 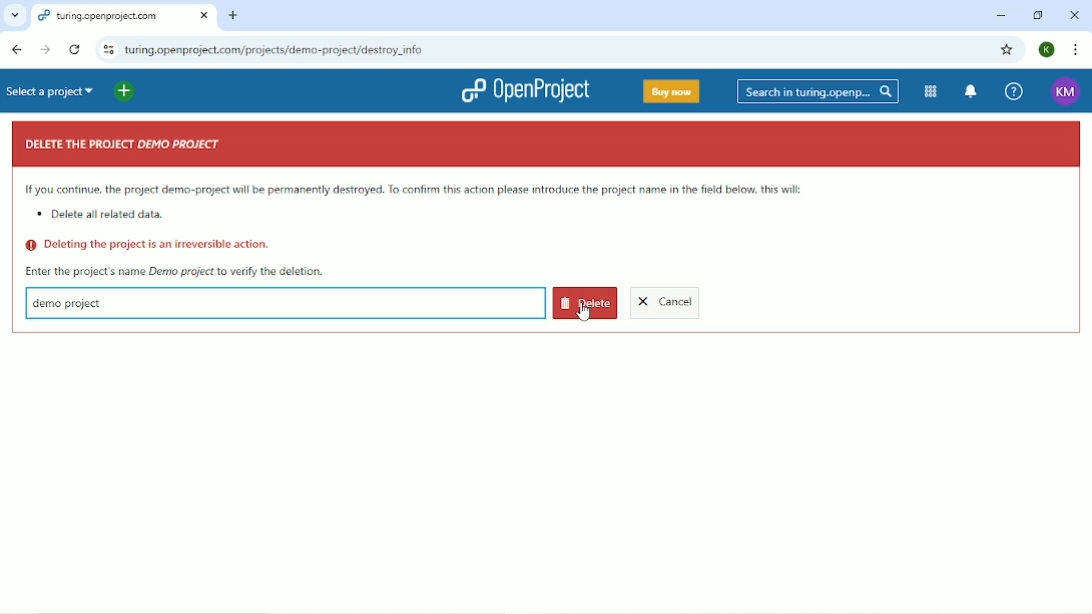 I want to click on Forward, so click(x=43, y=50).